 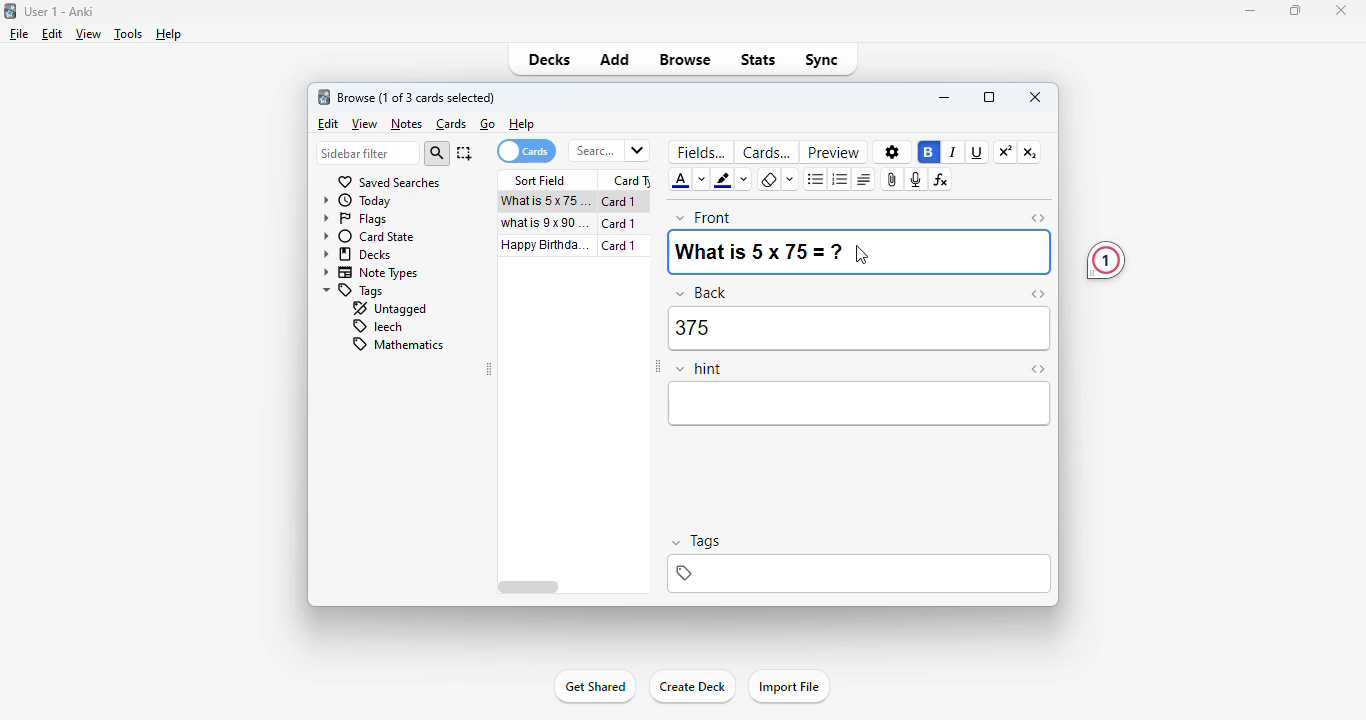 I want to click on browse, so click(x=686, y=59).